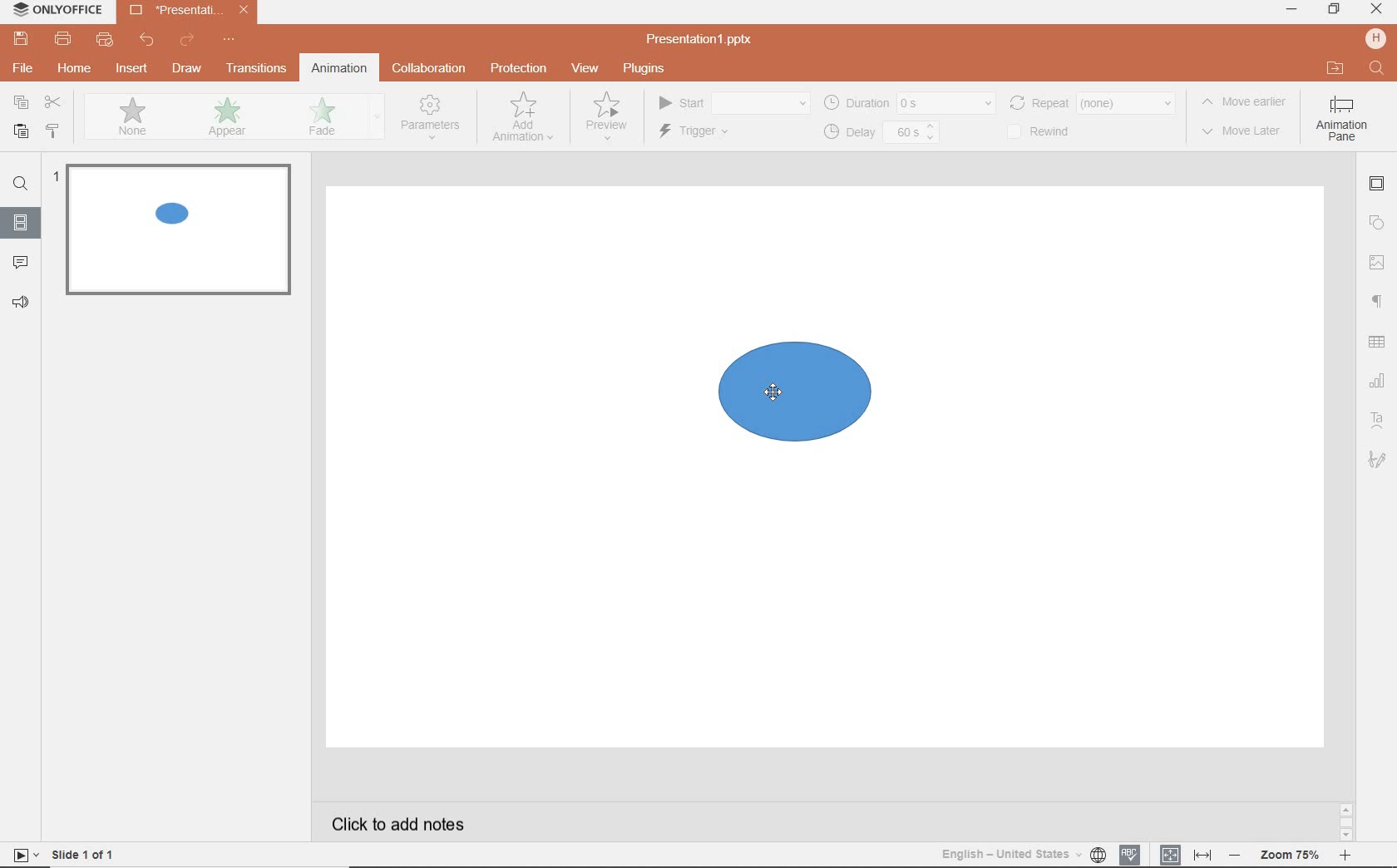 The width and height of the screenshot is (1397, 868). I want to click on animation, so click(338, 67).